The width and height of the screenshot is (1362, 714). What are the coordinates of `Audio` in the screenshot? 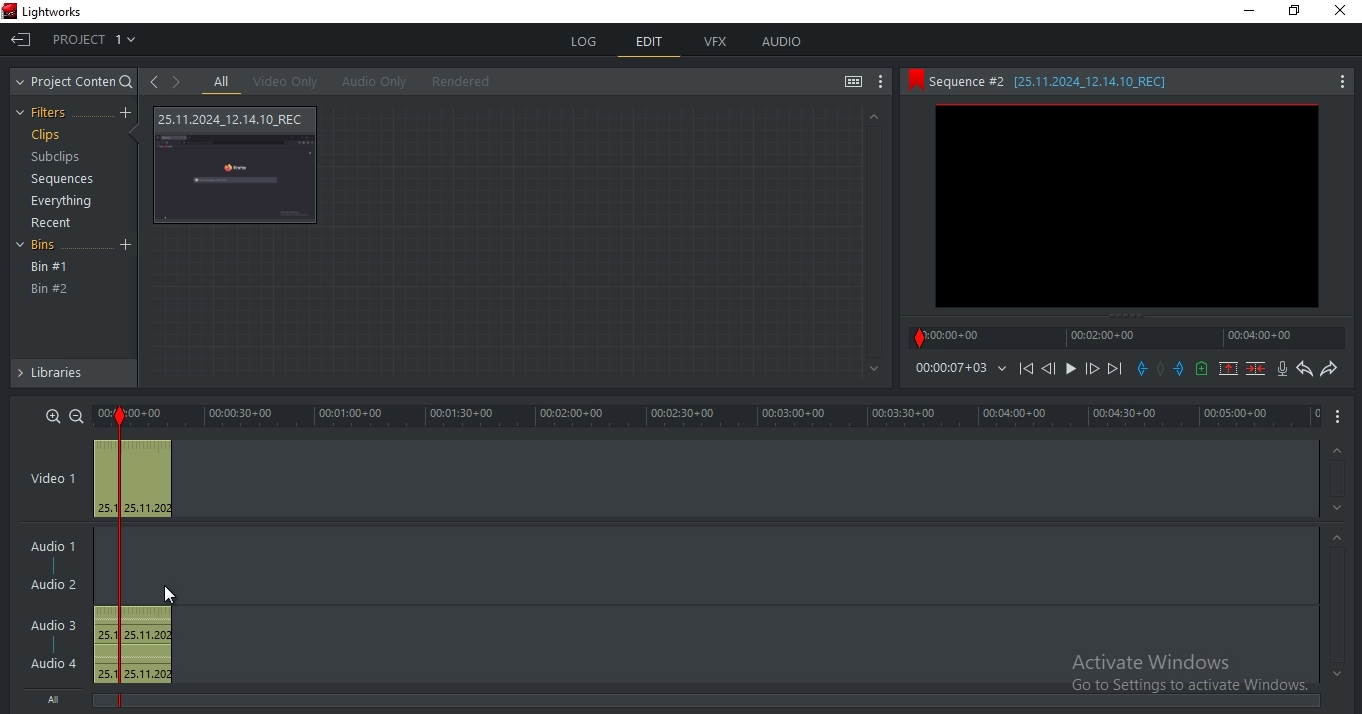 It's located at (56, 663).